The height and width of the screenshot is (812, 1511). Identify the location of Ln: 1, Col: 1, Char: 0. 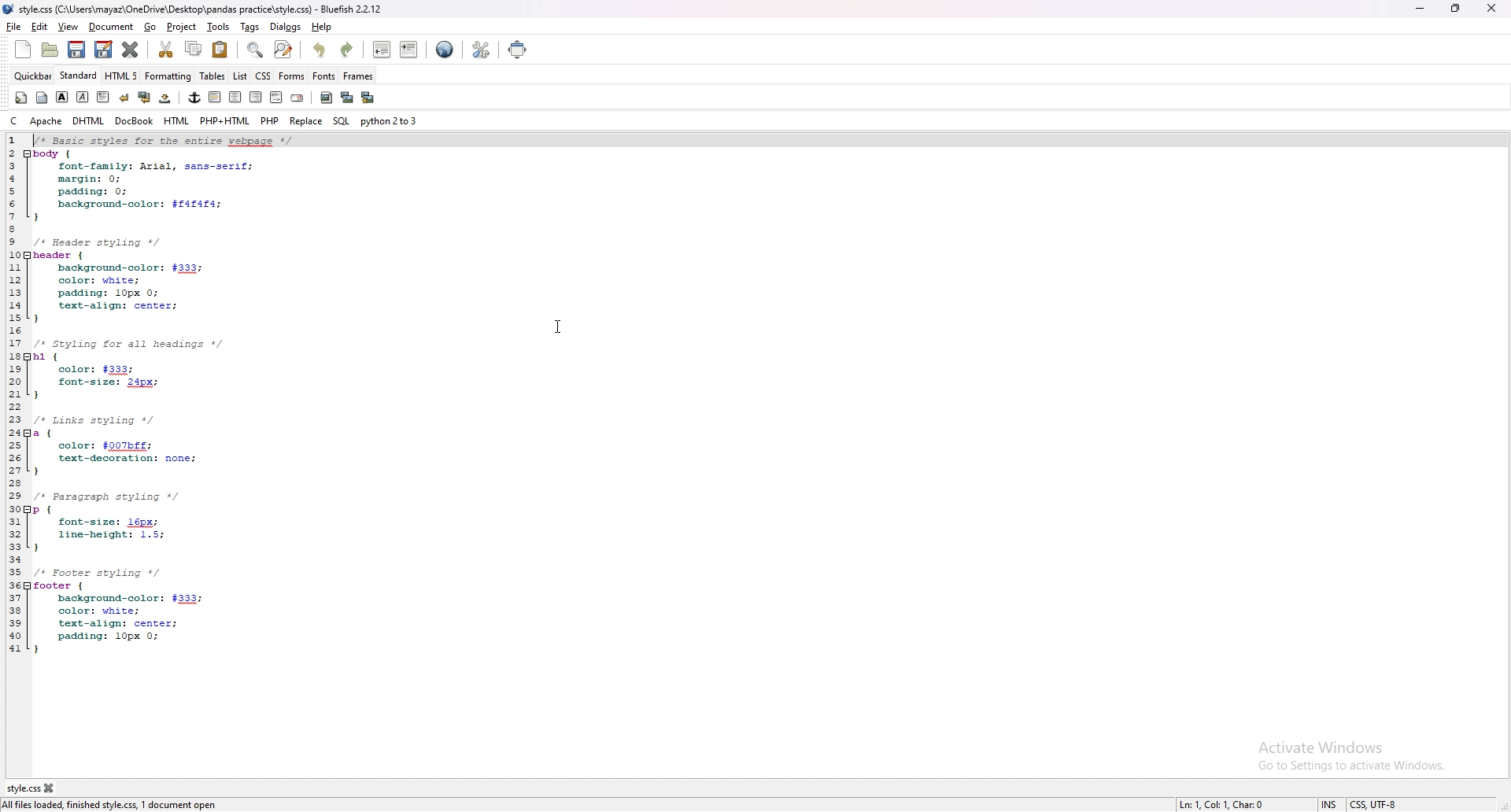
(1225, 804).